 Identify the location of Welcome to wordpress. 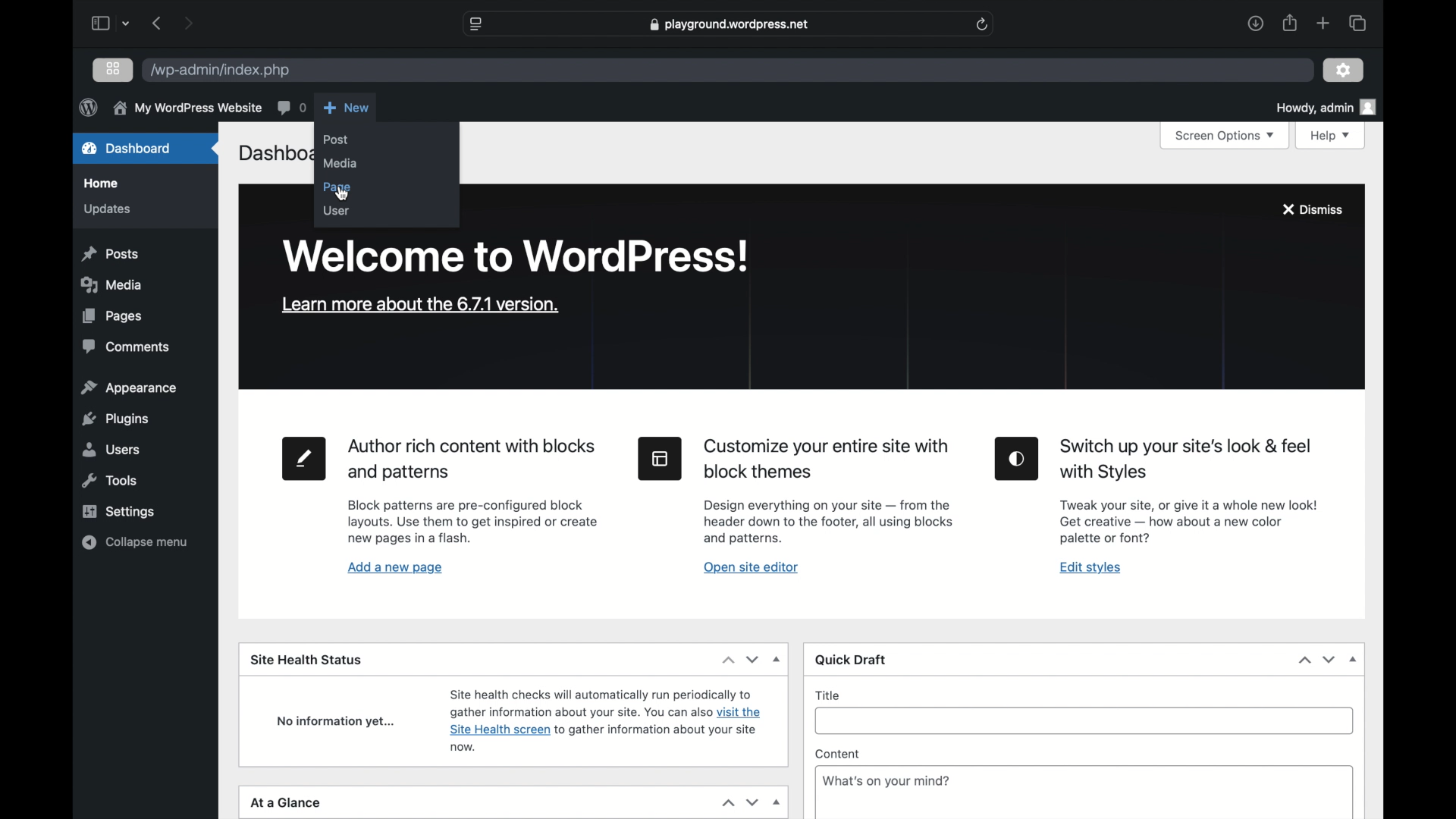
(518, 256).